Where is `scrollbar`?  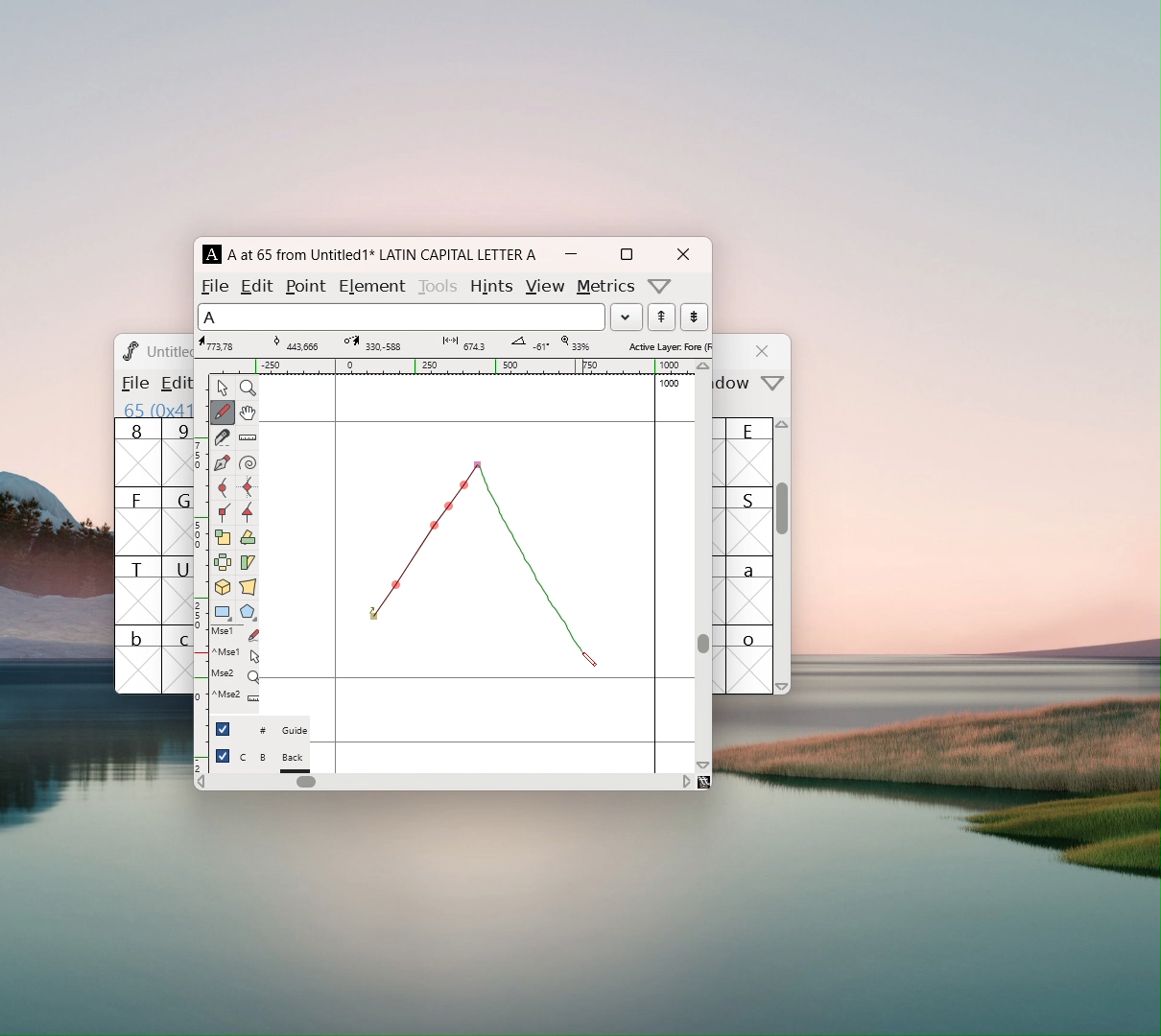
scrollbar is located at coordinates (703, 643).